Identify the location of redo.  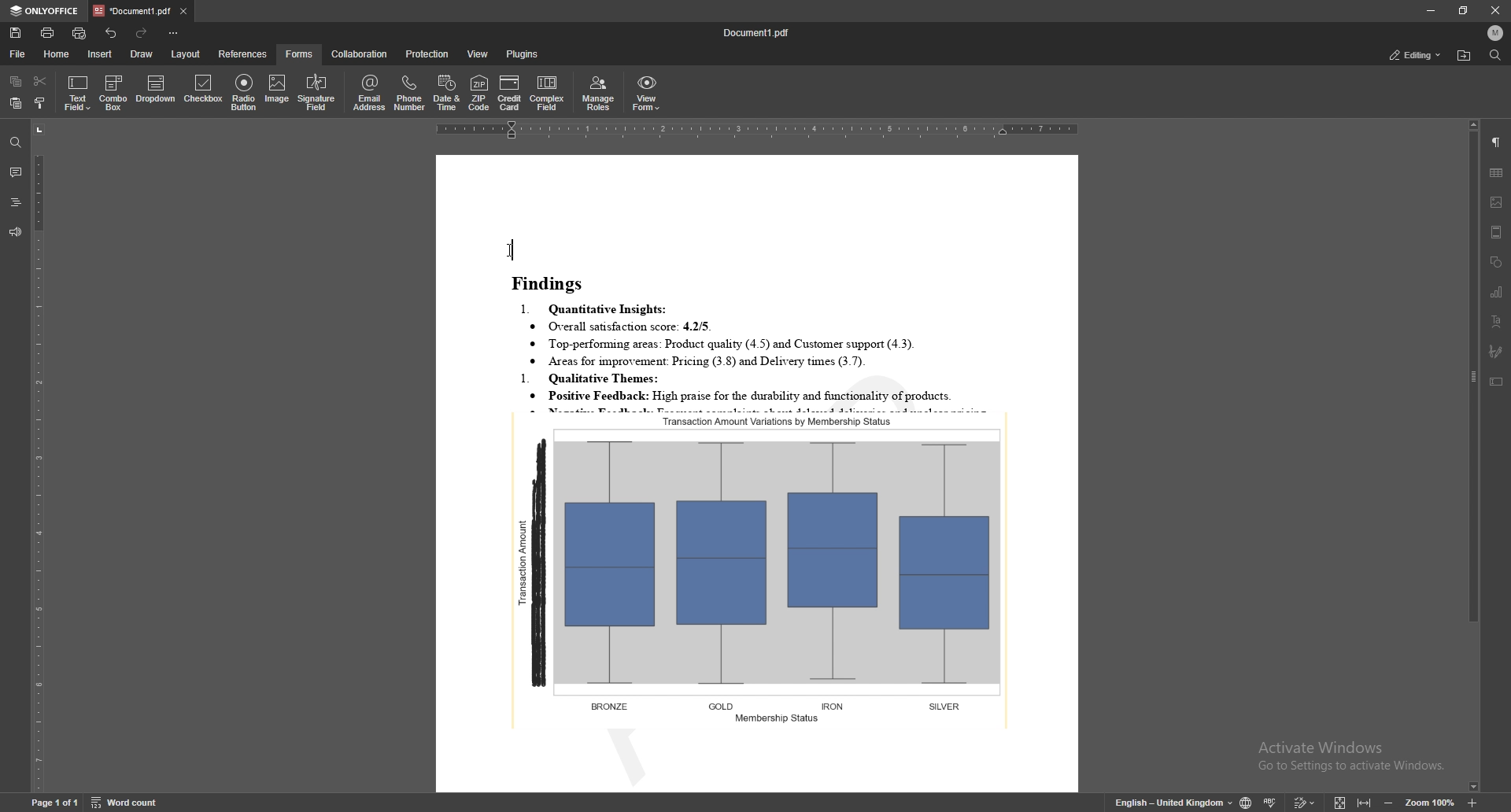
(143, 34).